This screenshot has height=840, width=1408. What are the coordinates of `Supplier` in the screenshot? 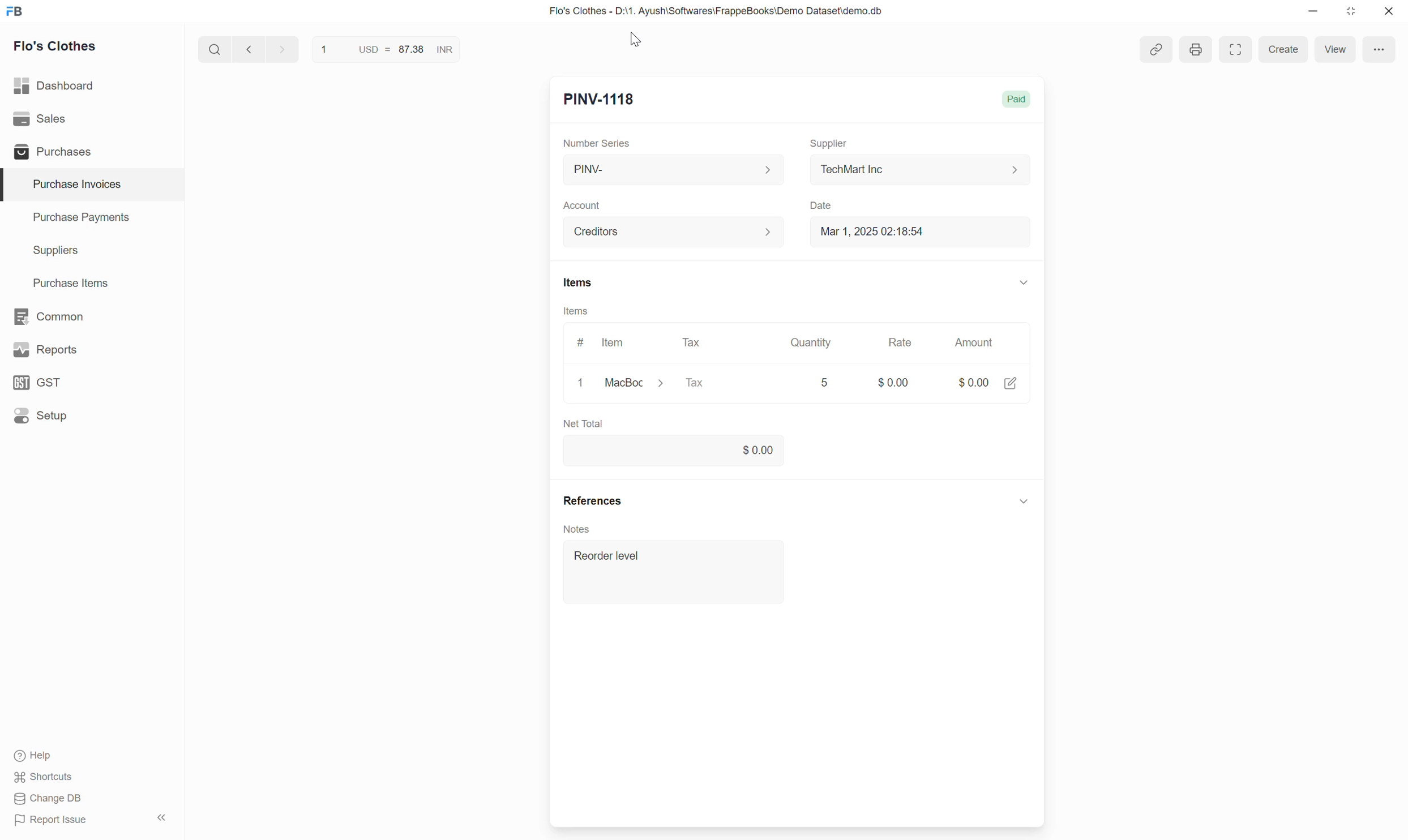 It's located at (829, 144).